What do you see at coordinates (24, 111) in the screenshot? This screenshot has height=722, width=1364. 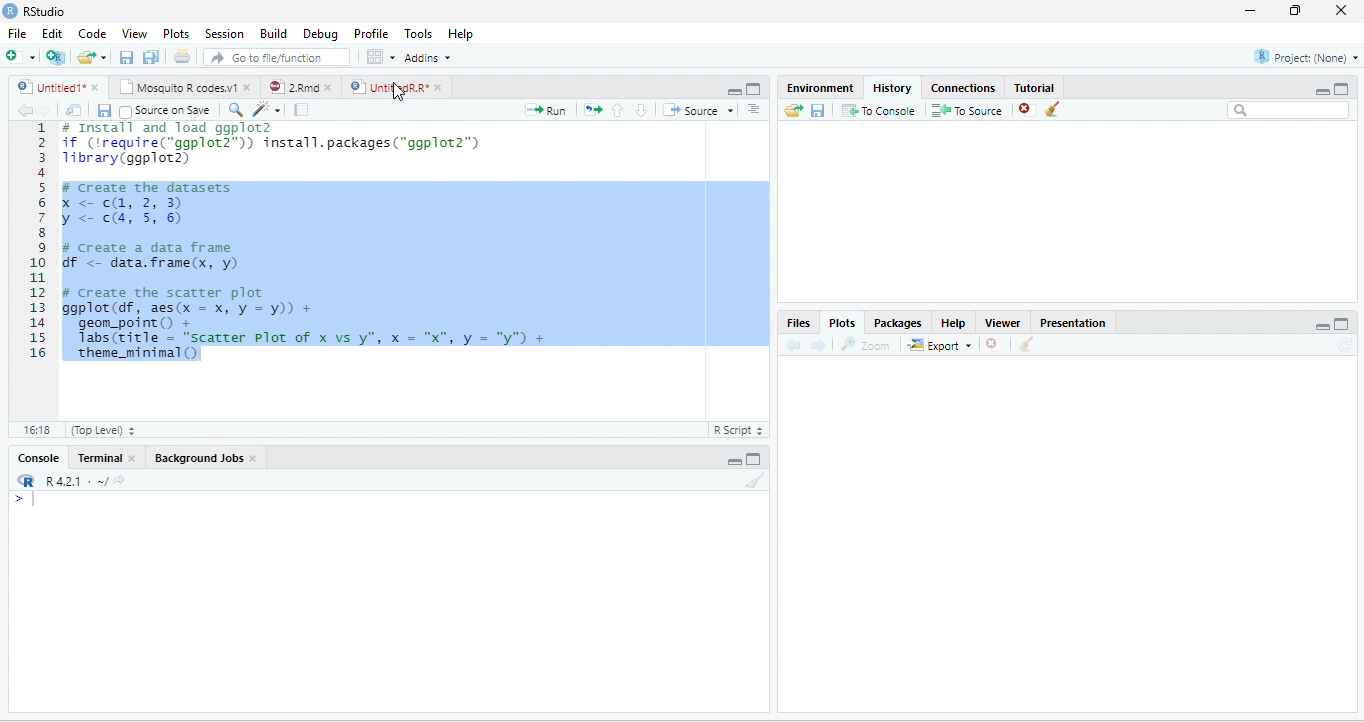 I see `Go back to previous source location` at bounding box center [24, 111].